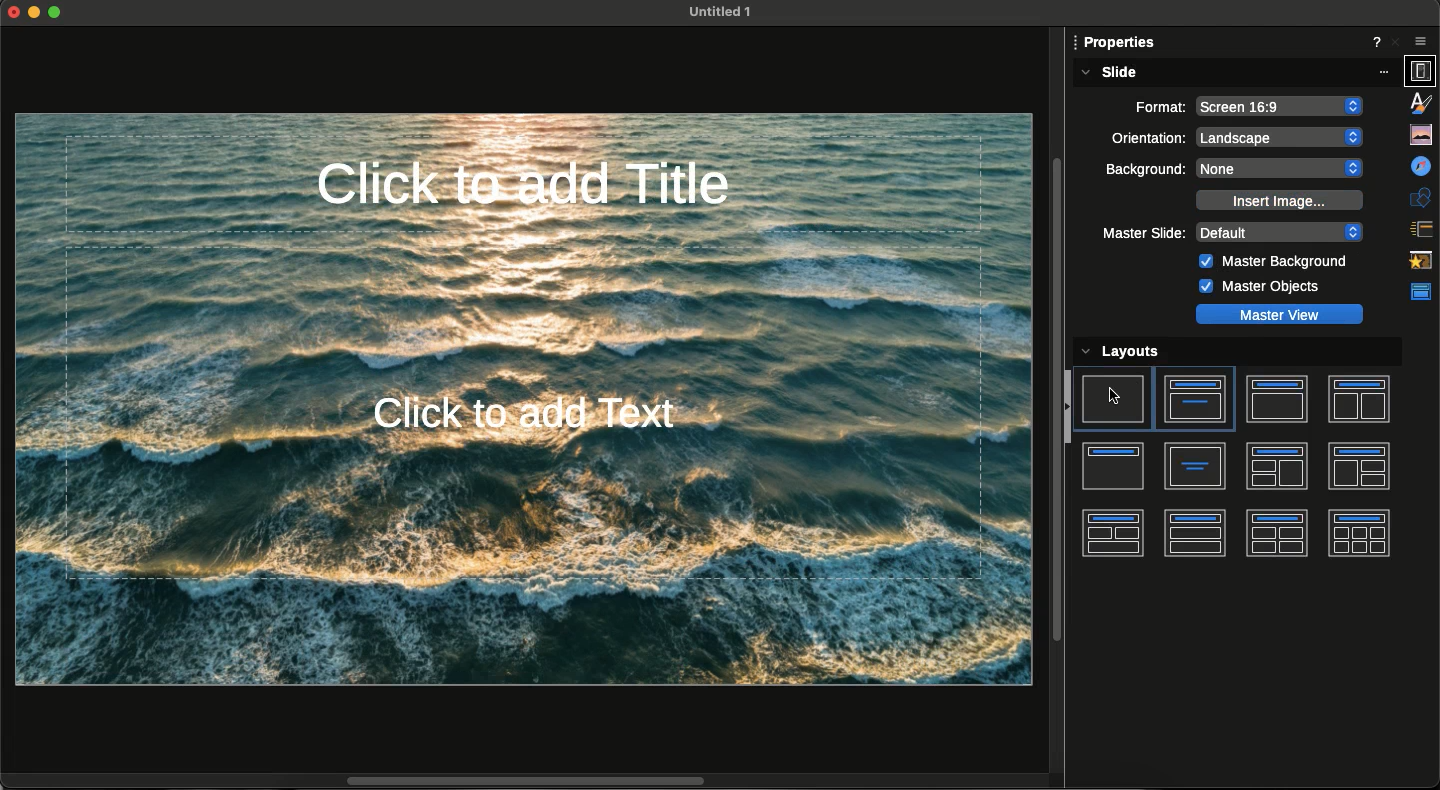 The image size is (1440, 790). I want to click on Screen 16:9, so click(1280, 107).